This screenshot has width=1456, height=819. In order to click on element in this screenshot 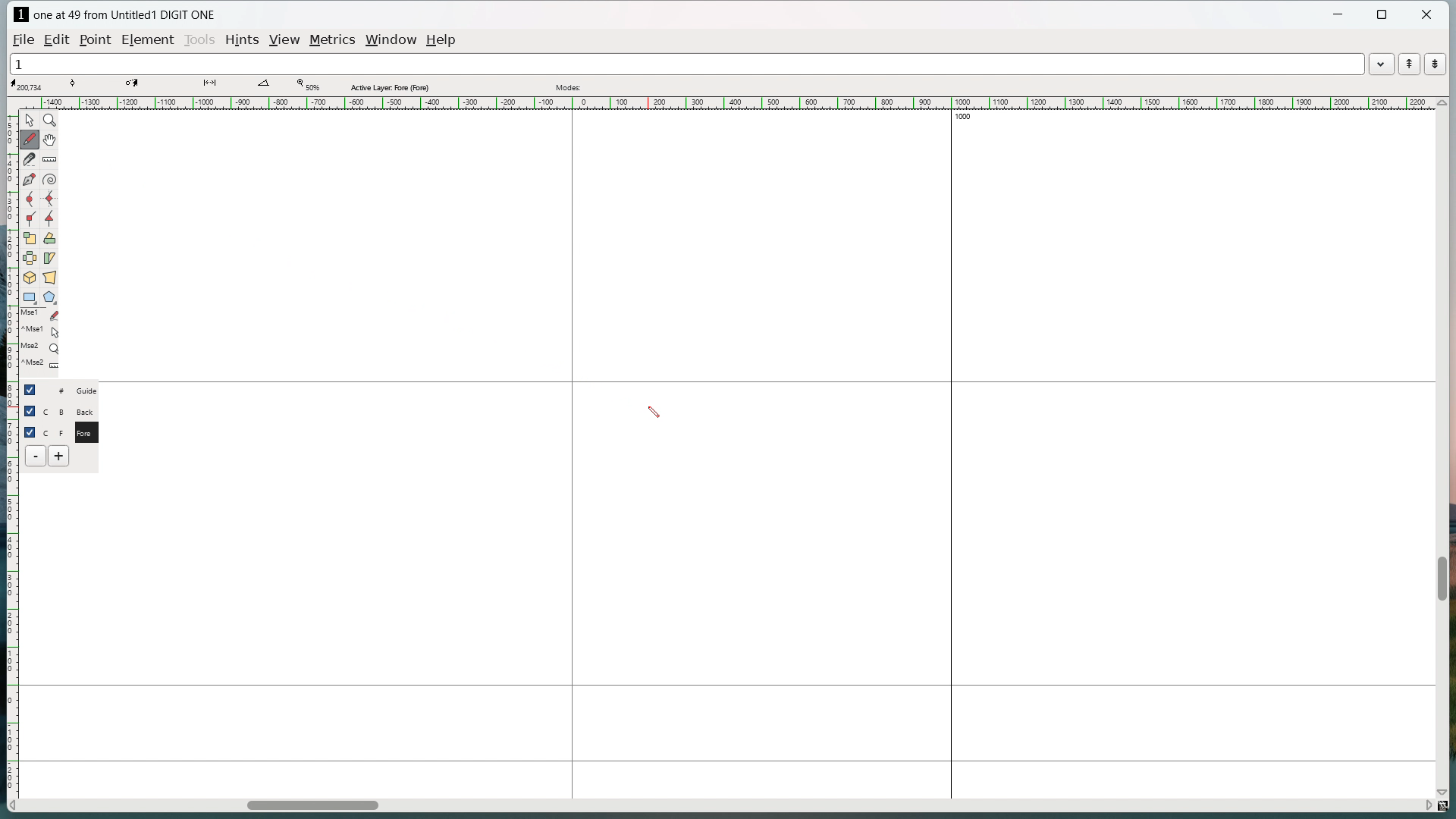, I will do `click(147, 39)`.